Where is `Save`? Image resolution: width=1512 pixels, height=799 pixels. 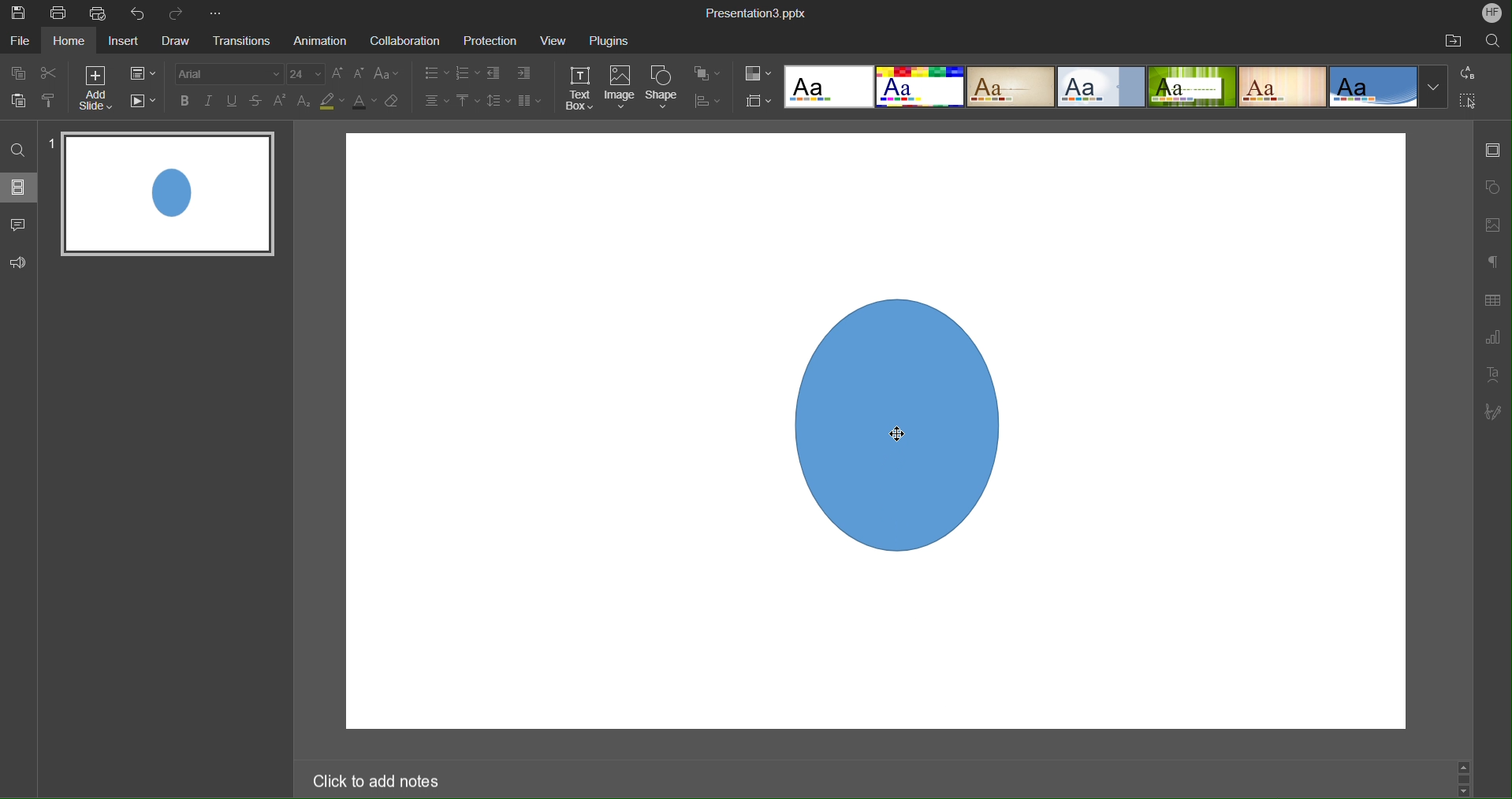
Save is located at coordinates (20, 15).